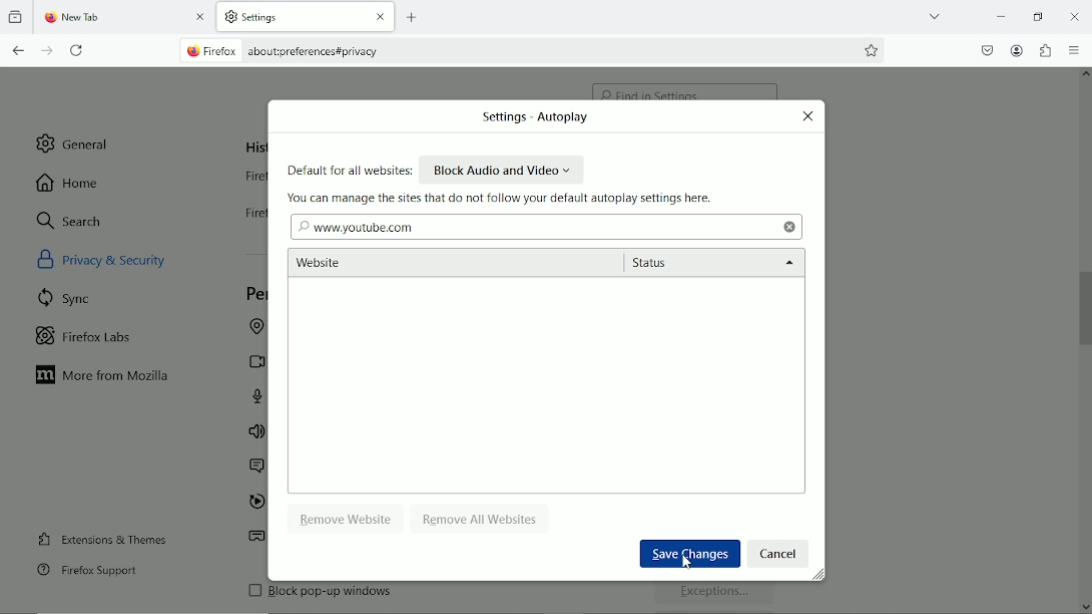 Image resolution: width=1092 pixels, height=614 pixels. I want to click on checkbox, so click(253, 590).